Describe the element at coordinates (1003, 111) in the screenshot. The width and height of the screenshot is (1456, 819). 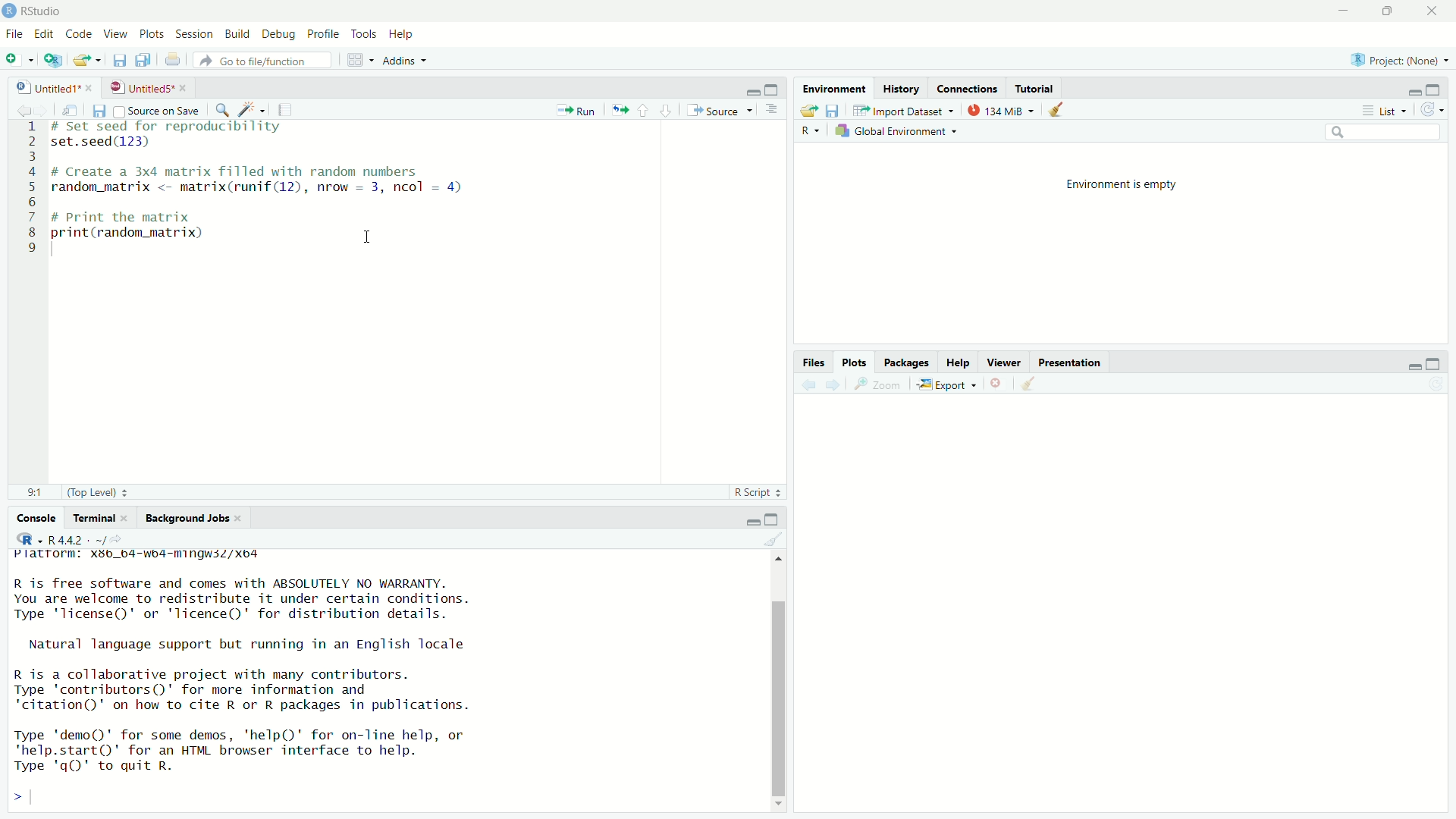
I see `134 MiB +` at that location.